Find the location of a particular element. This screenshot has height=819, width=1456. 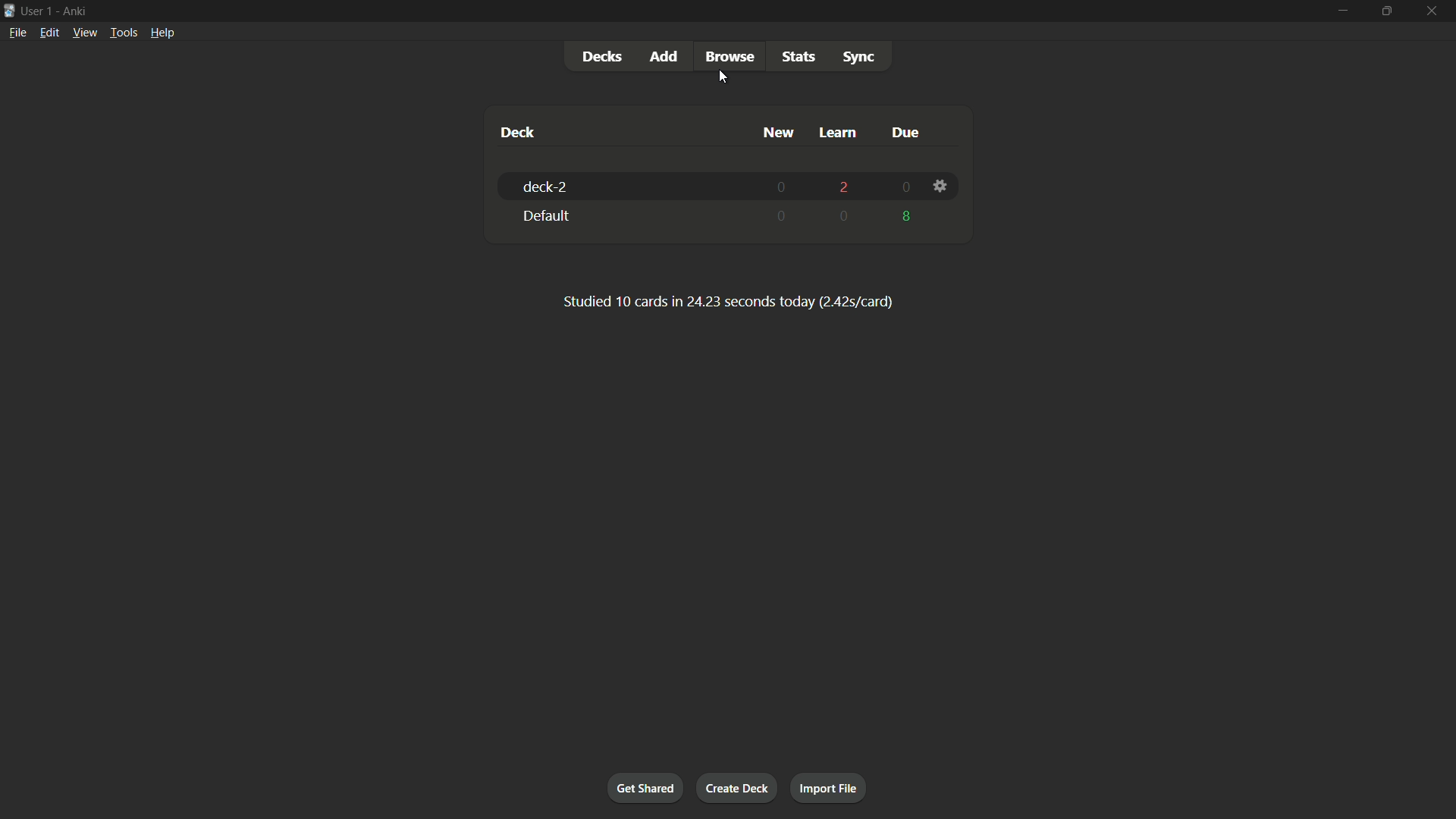

User one is located at coordinates (37, 11).